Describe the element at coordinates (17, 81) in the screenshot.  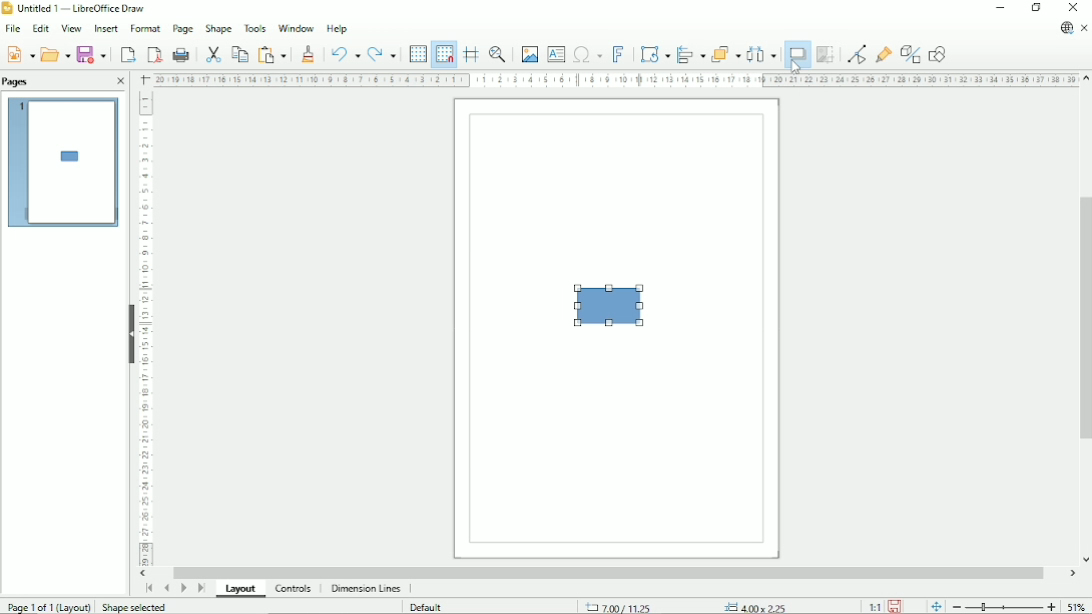
I see `Pages` at that location.